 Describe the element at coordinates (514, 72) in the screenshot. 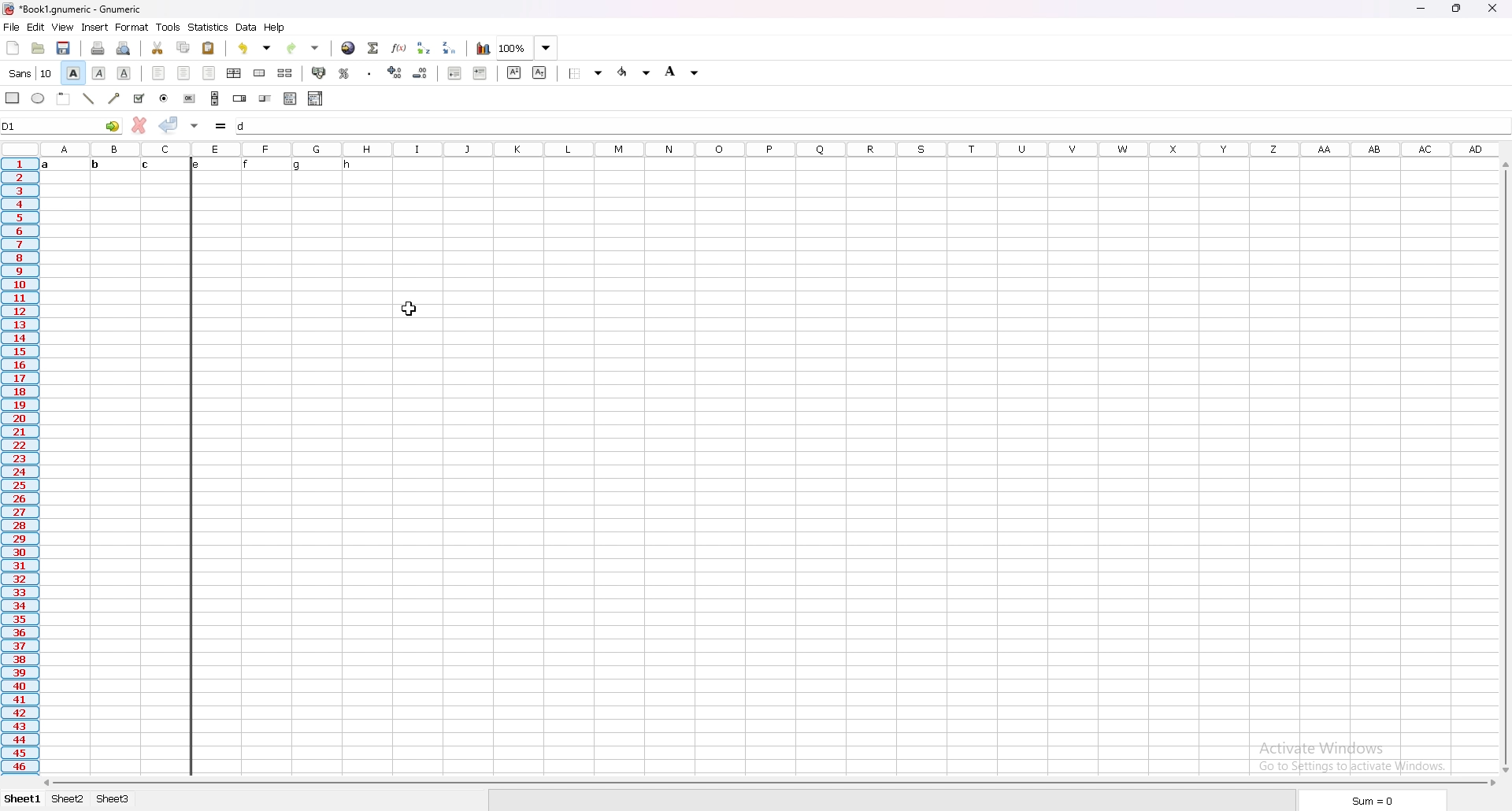

I see `superscript` at that location.